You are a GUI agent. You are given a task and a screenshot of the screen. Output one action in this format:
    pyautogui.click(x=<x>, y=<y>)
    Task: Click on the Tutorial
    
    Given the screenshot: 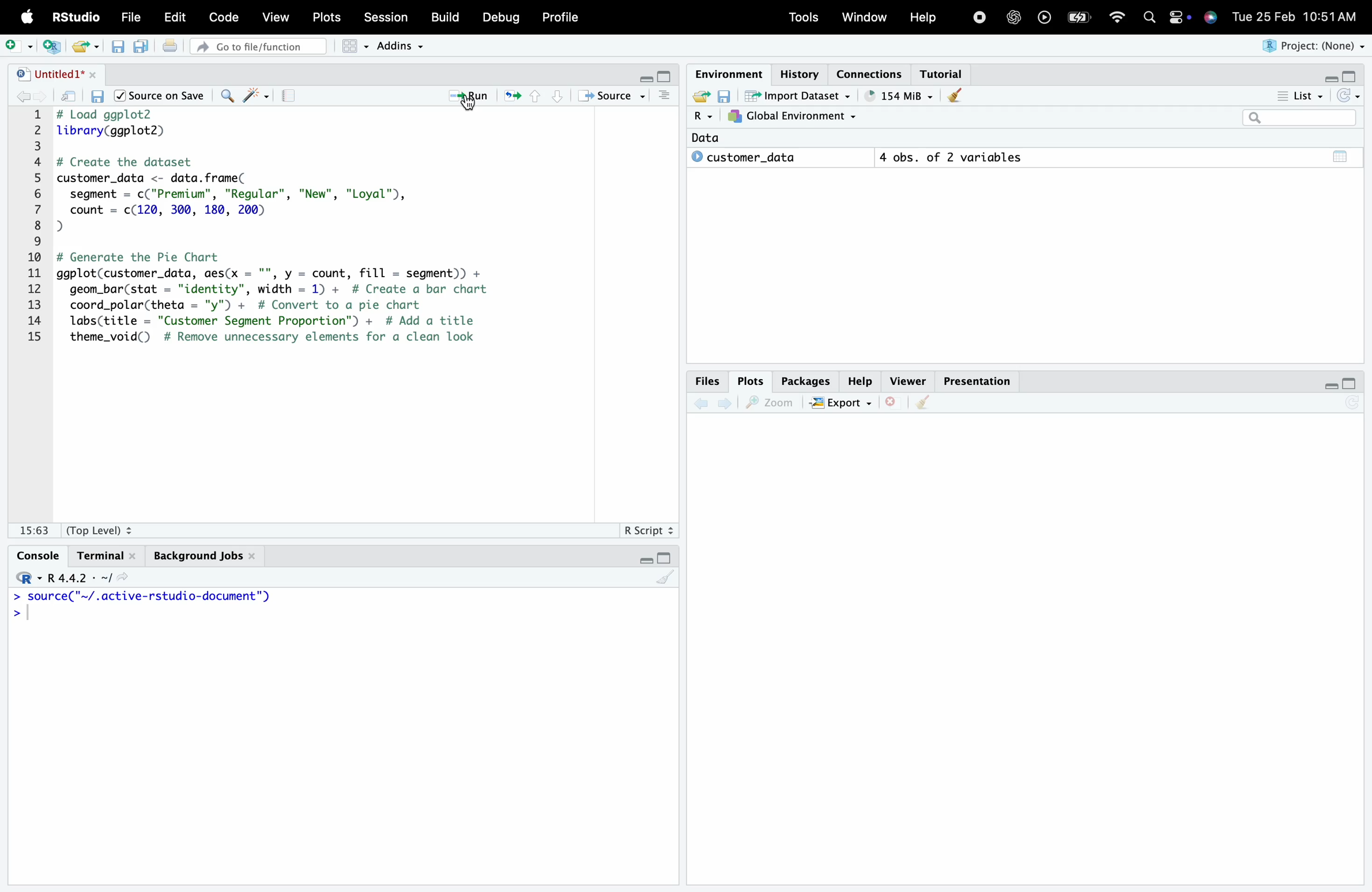 What is the action you would take?
    pyautogui.click(x=945, y=73)
    